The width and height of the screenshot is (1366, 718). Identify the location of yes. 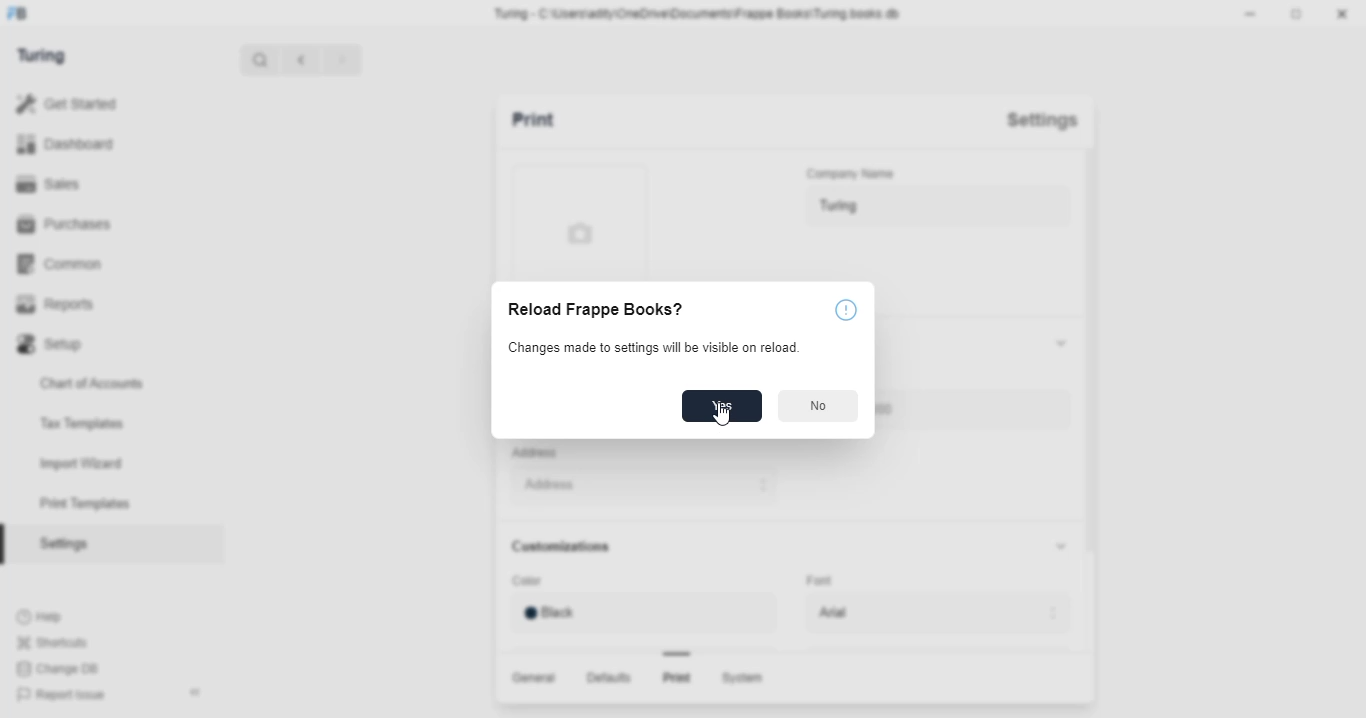
(723, 406).